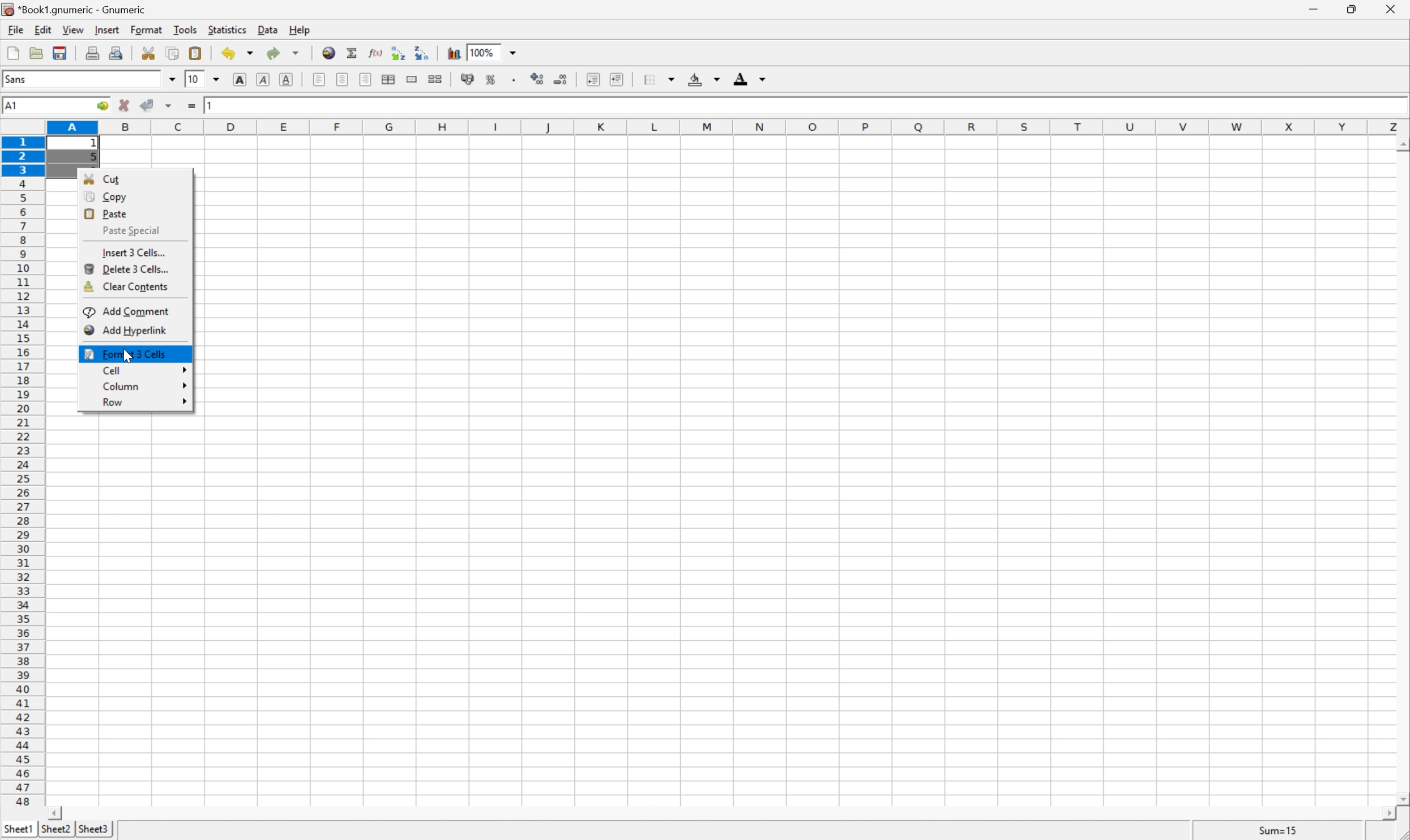 This screenshot has height=840, width=1410. What do you see at coordinates (146, 402) in the screenshot?
I see `row` at bounding box center [146, 402].